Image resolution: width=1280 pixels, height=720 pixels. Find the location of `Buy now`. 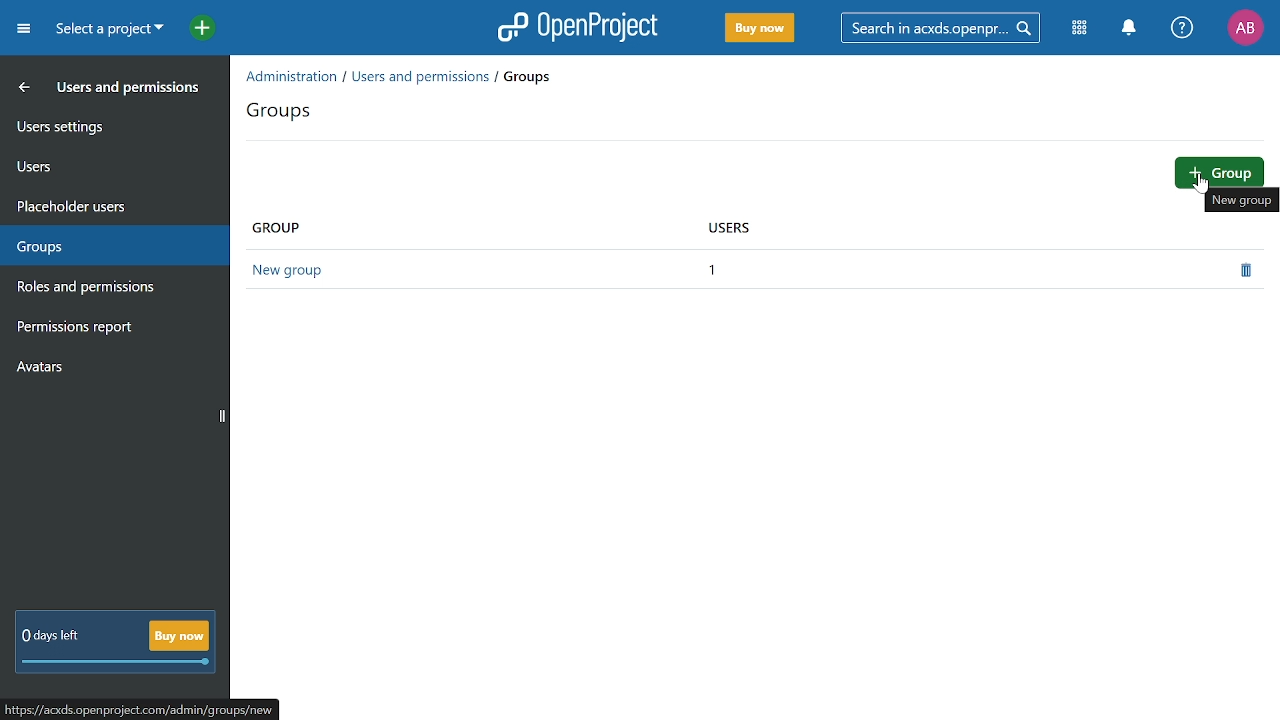

Buy now is located at coordinates (178, 635).